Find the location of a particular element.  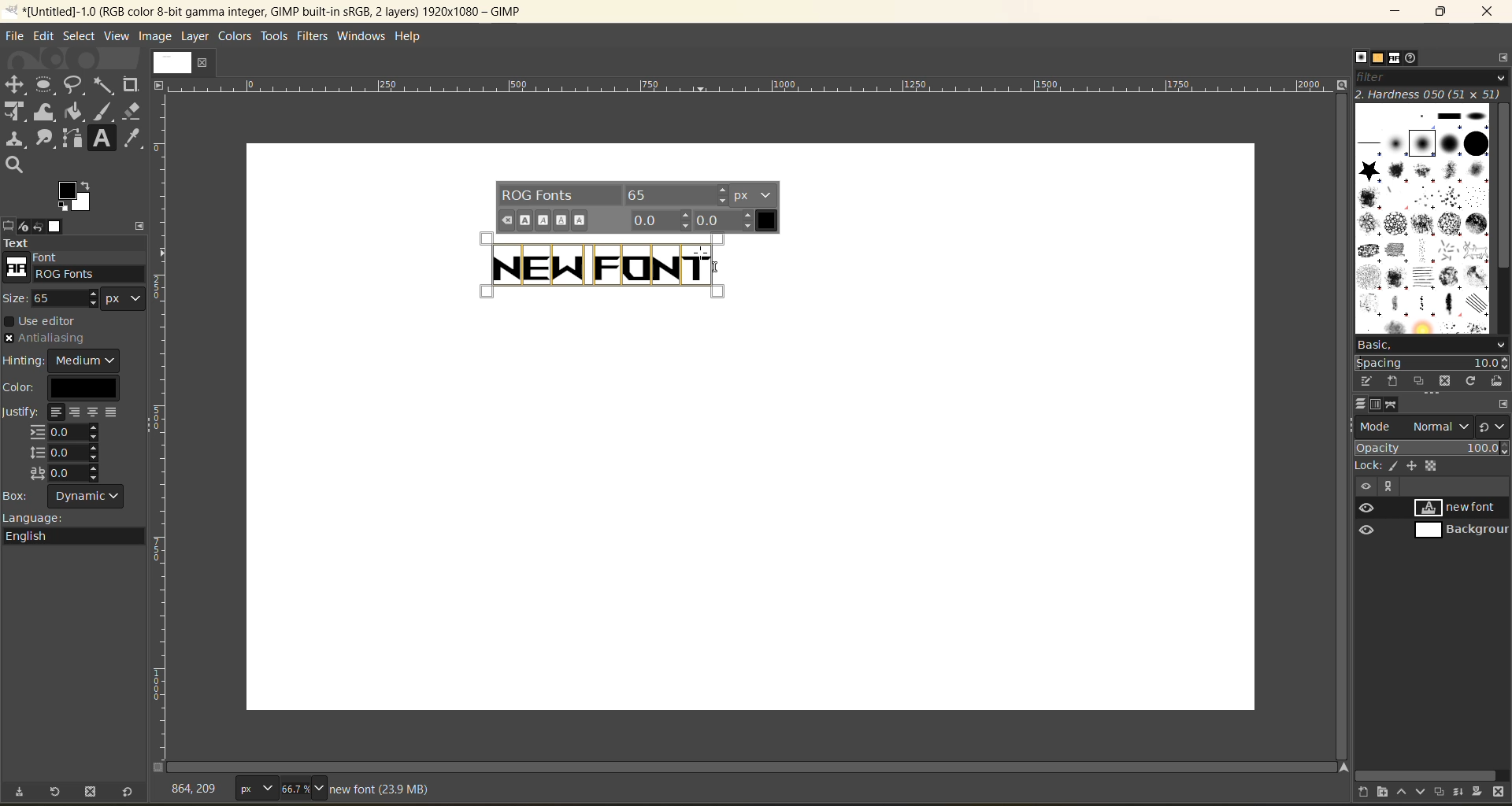

active foreground/background color is located at coordinates (74, 198).